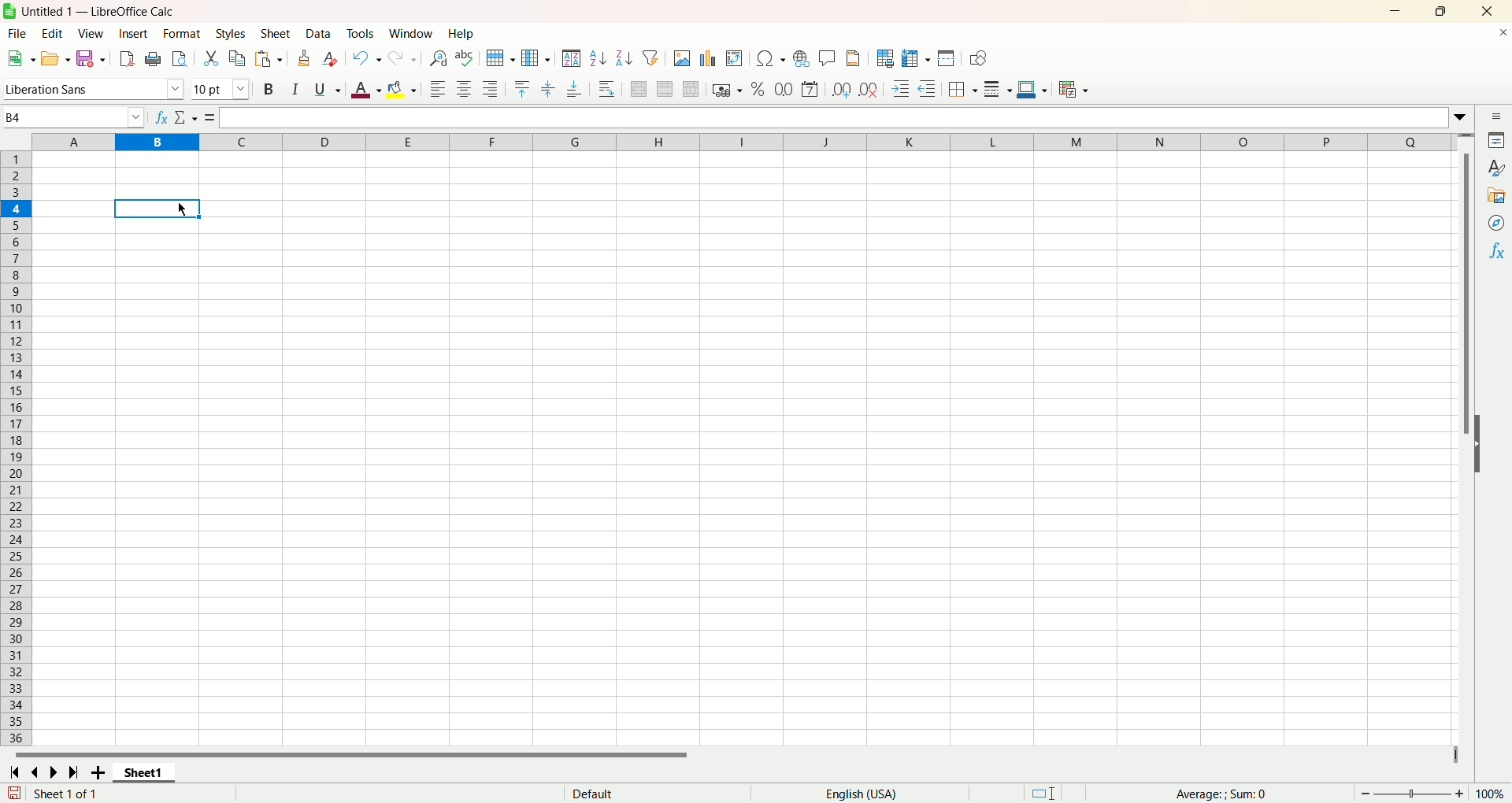 The height and width of the screenshot is (803, 1512). What do you see at coordinates (1057, 791) in the screenshot?
I see `Selection mode` at bounding box center [1057, 791].